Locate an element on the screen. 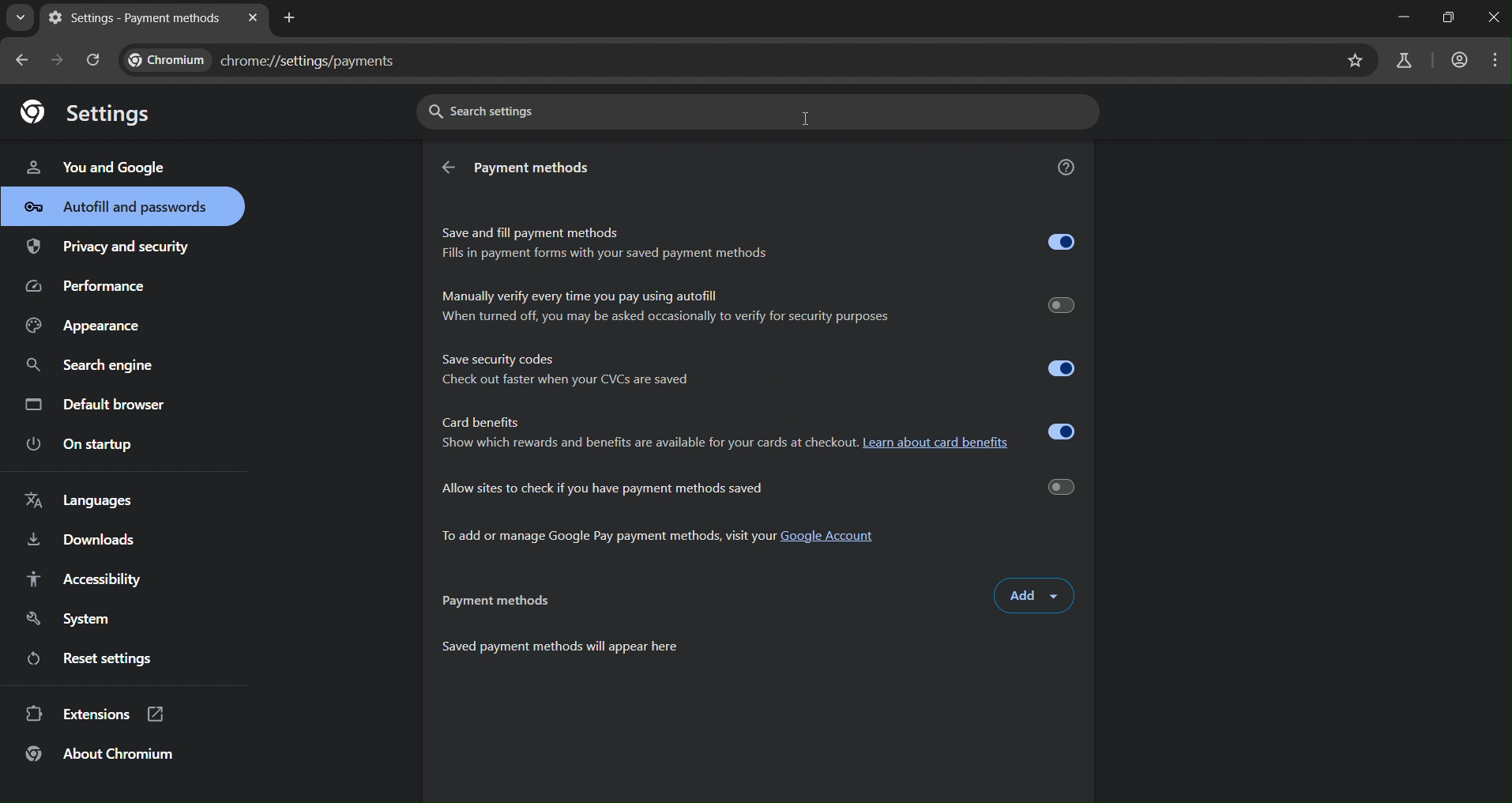 This screenshot has height=803, width=1512. search labs is located at coordinates (1406, 63).